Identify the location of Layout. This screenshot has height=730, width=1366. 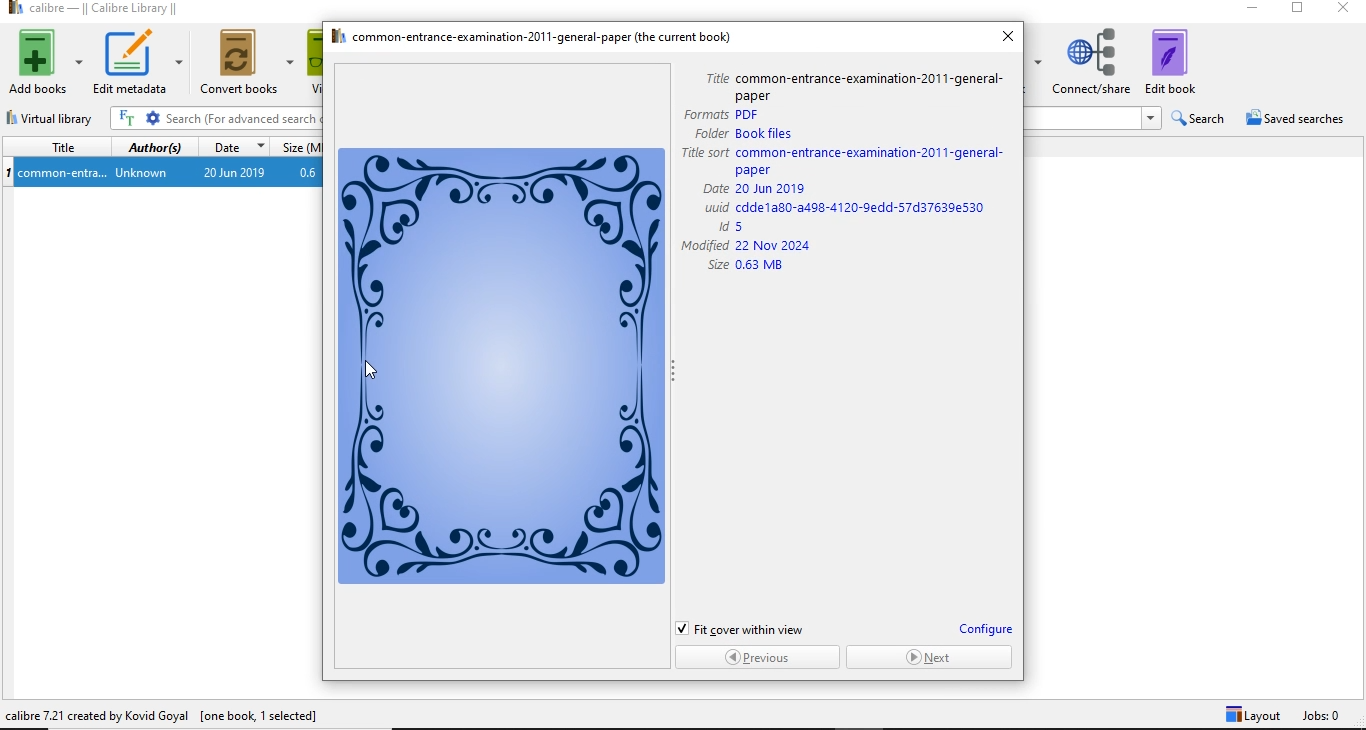
(1250, 716).